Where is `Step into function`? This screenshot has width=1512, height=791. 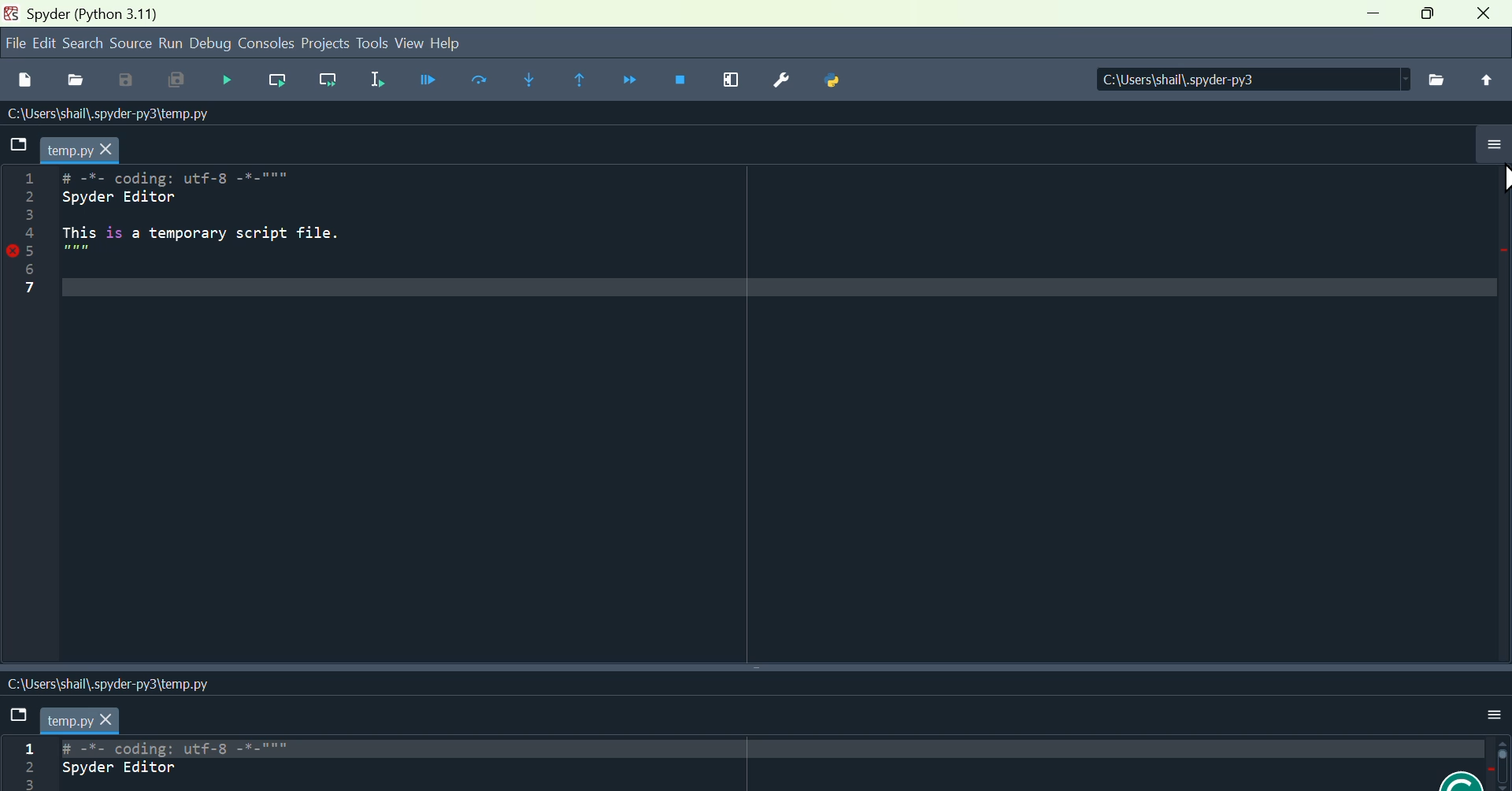
Step into function is located at coordinates (530, 81).